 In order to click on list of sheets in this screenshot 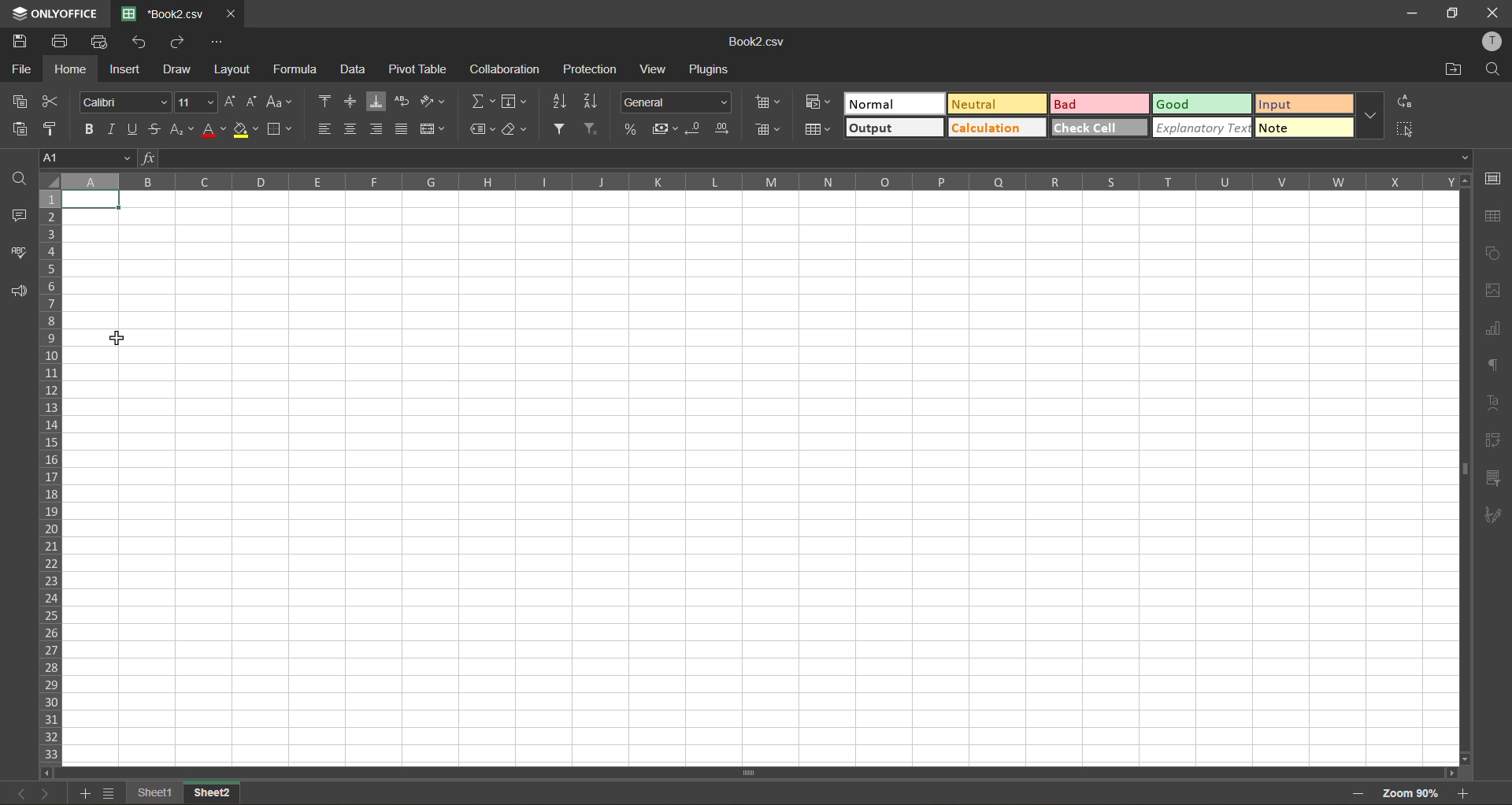, I will do `click(110, 793)`.